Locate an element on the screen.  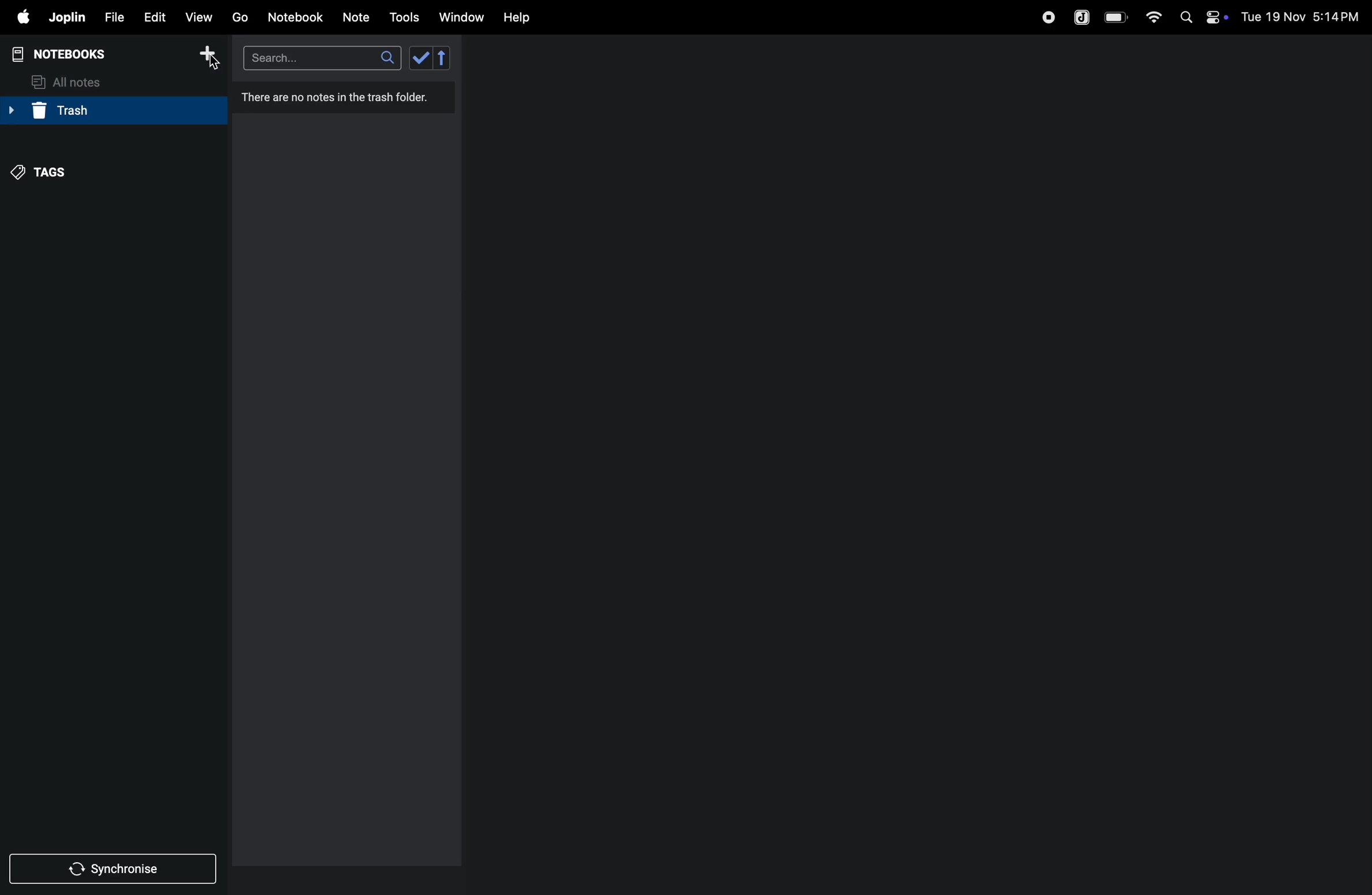
all notes is located at coordinates (69, 82).